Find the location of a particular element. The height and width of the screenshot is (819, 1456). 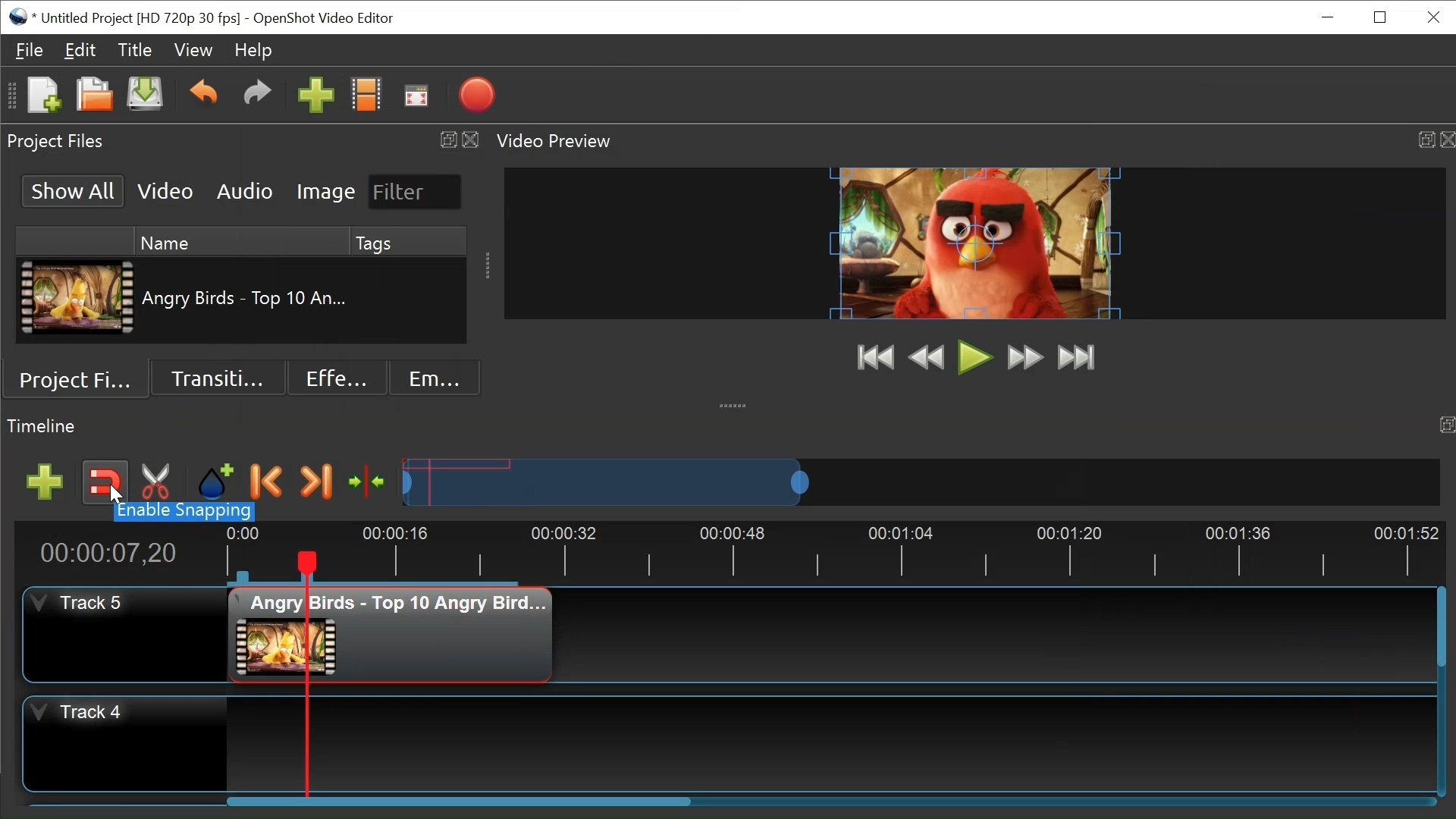

Vertical Scroll bar is located at coordinates (1441, 627).